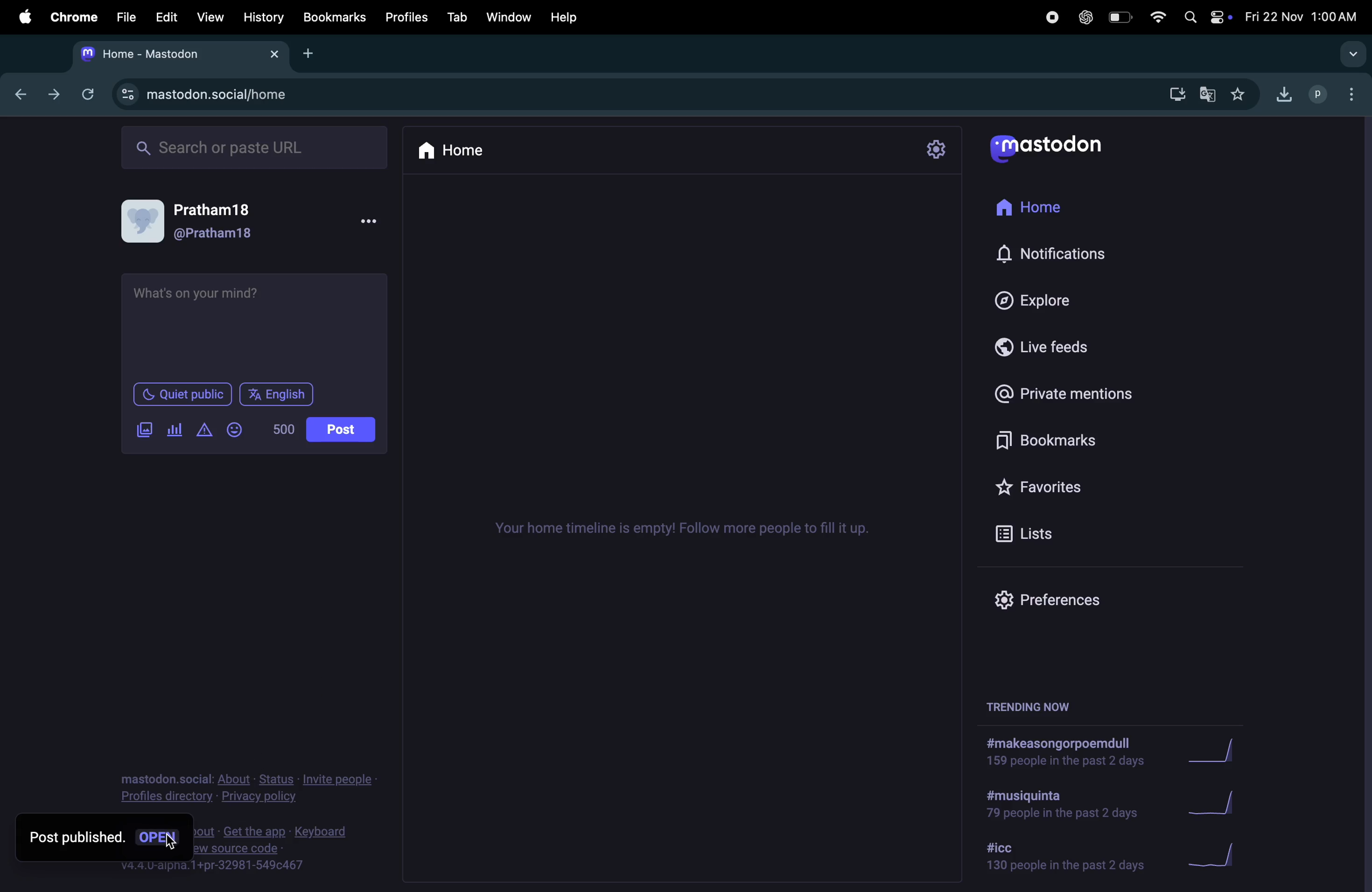 This screenshot has height=892, width=1372. I want to click on favourite, so click(1242, 95).